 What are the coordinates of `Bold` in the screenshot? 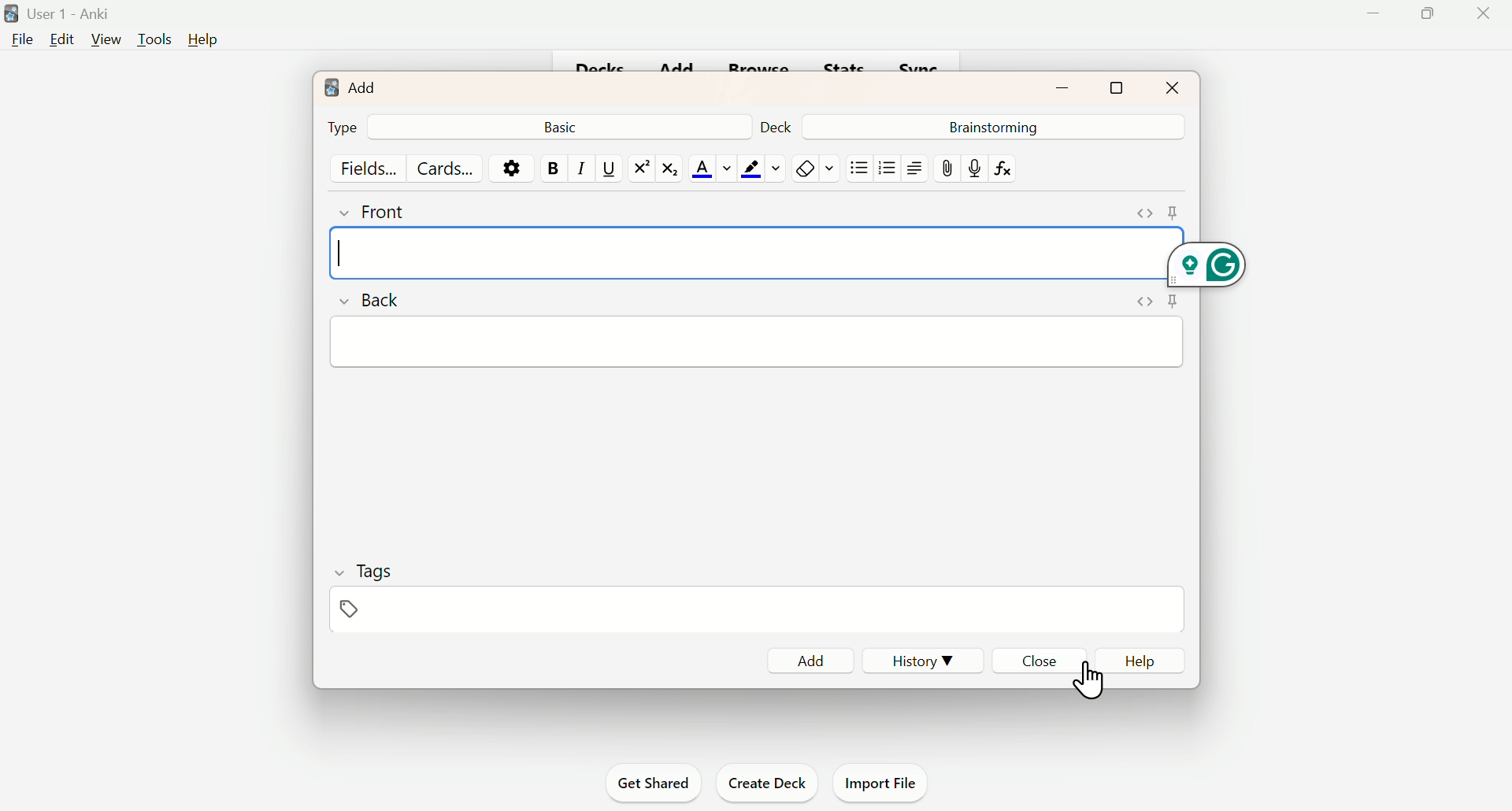 It's located at (552, 168).